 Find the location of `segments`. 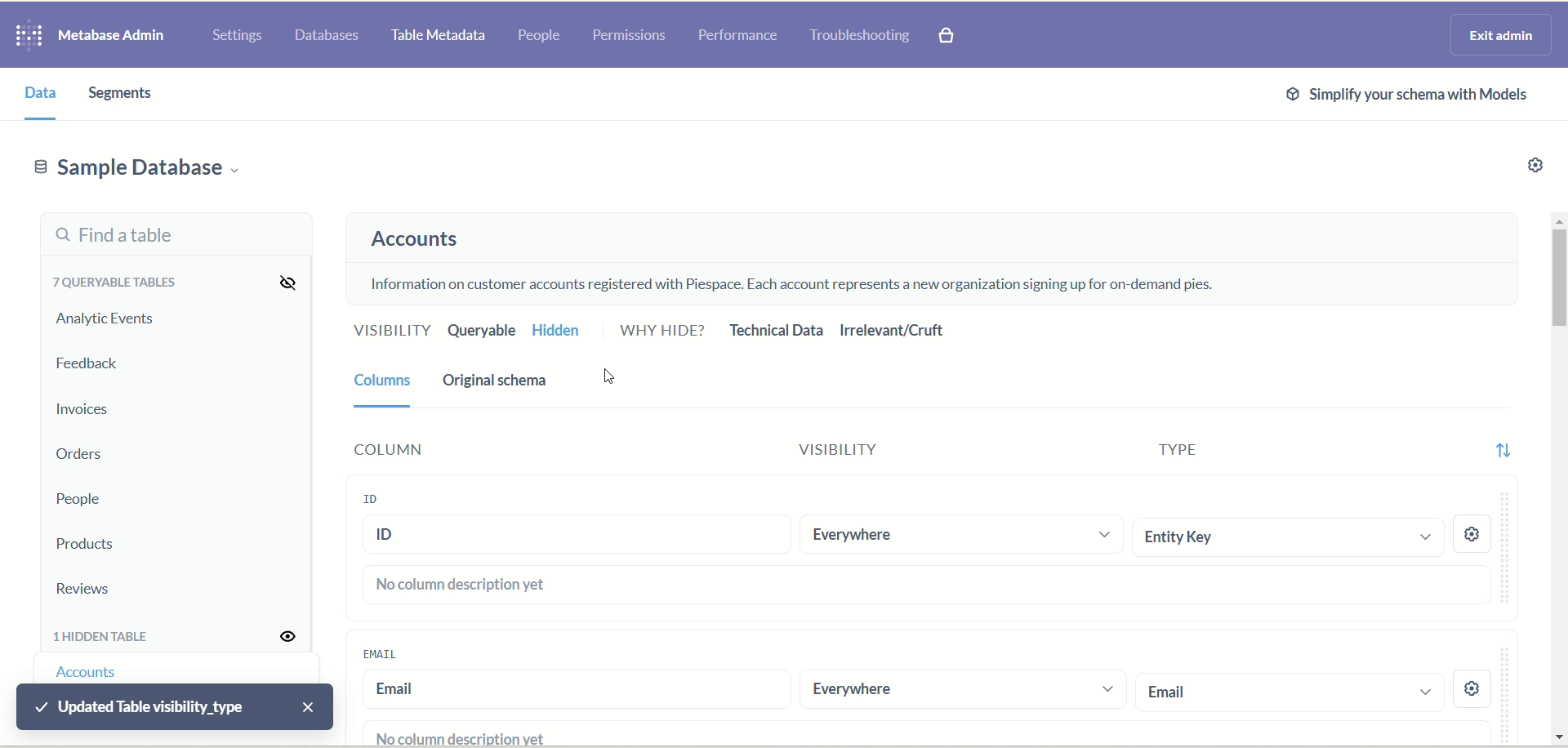

segments is located at coordinates (116, 95).